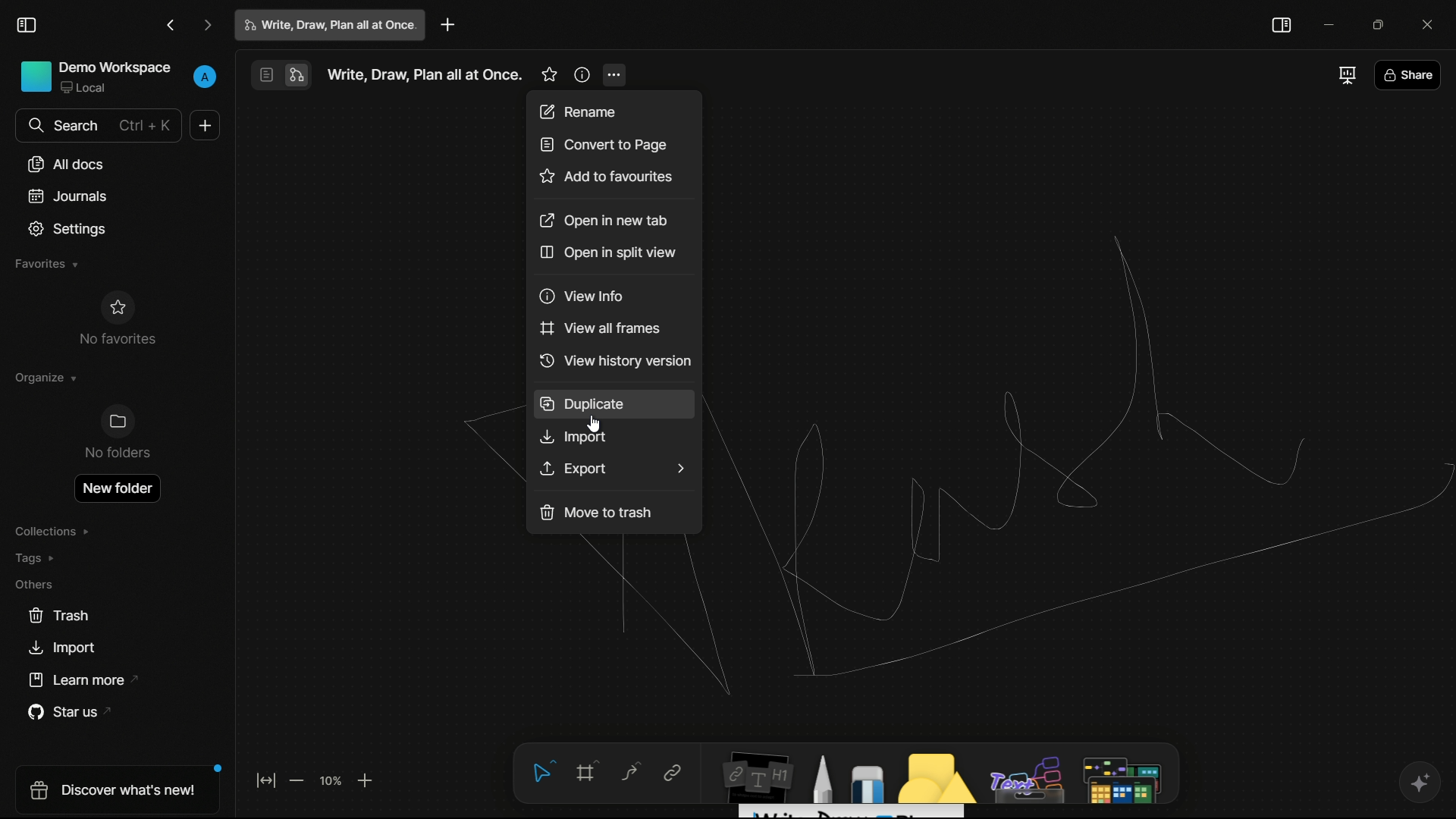 This screenshot has width=1456, height=819. I want to click on open in new tab, so click(603, 221).